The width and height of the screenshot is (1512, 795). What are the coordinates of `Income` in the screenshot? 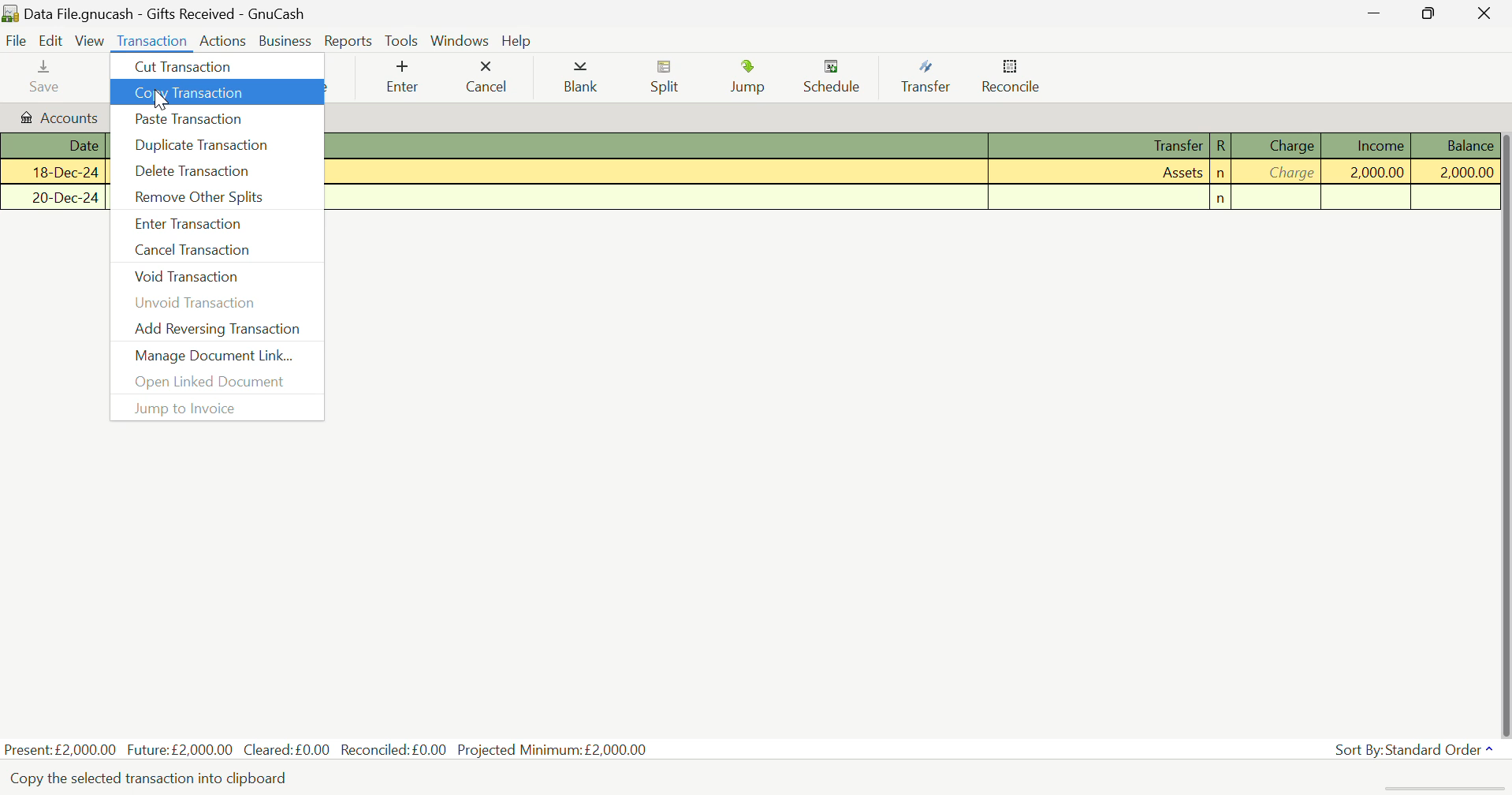 It's located at (1369, 145).